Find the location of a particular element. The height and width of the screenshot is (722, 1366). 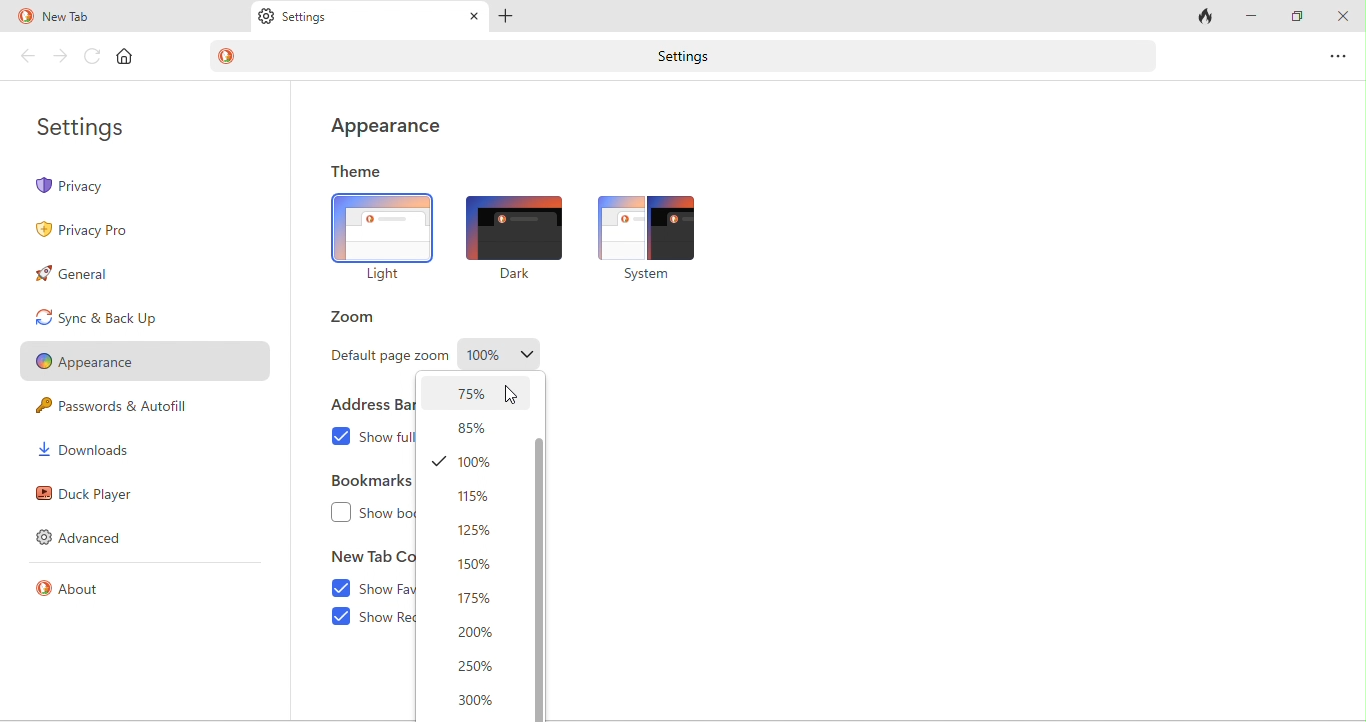

enable checkbox  is located at coordinates (337, 616).